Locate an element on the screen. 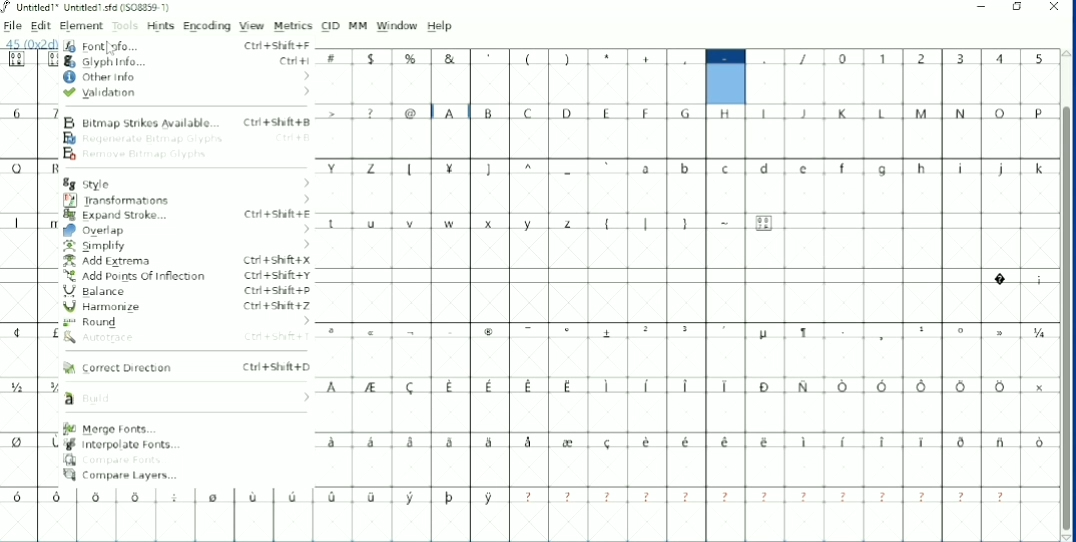  Symbols is located at coordinates (686, 384).